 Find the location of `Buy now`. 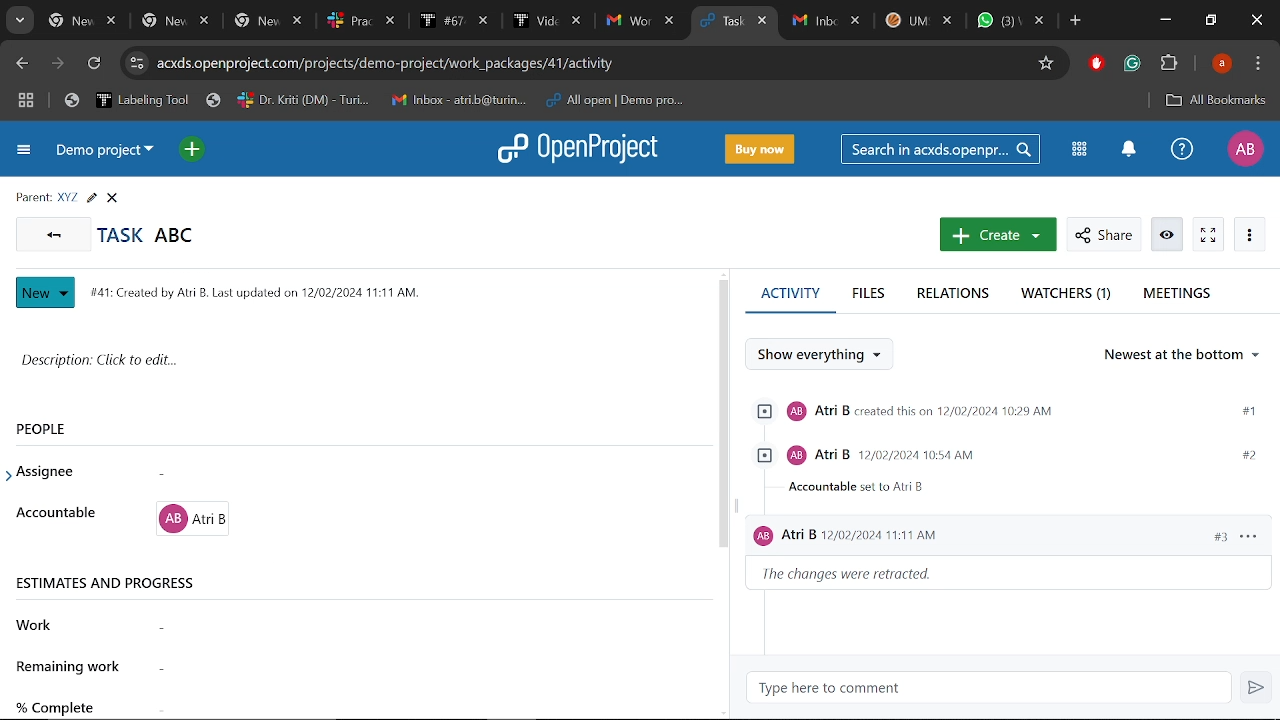

Buy now is located at coordinates (760, 150).